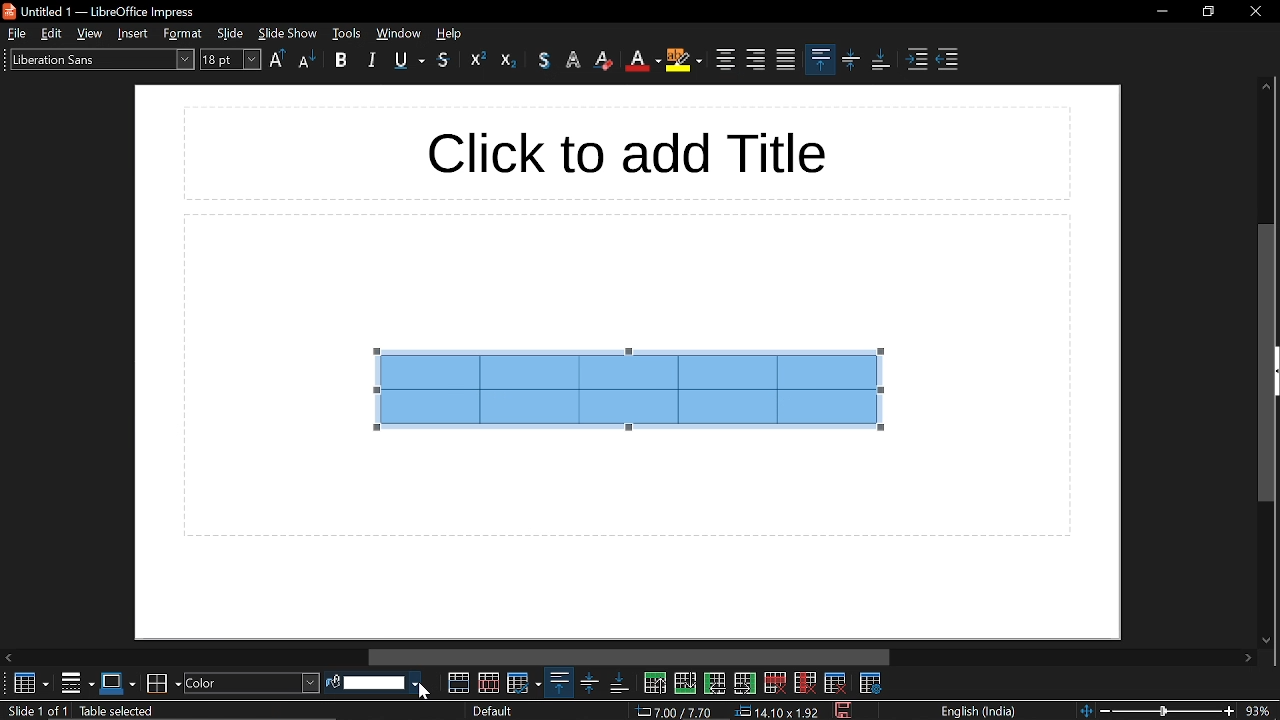 Image resolution: width=1280 pixels, height=720 pixels. I want to click on highlight, so click(574, 58).